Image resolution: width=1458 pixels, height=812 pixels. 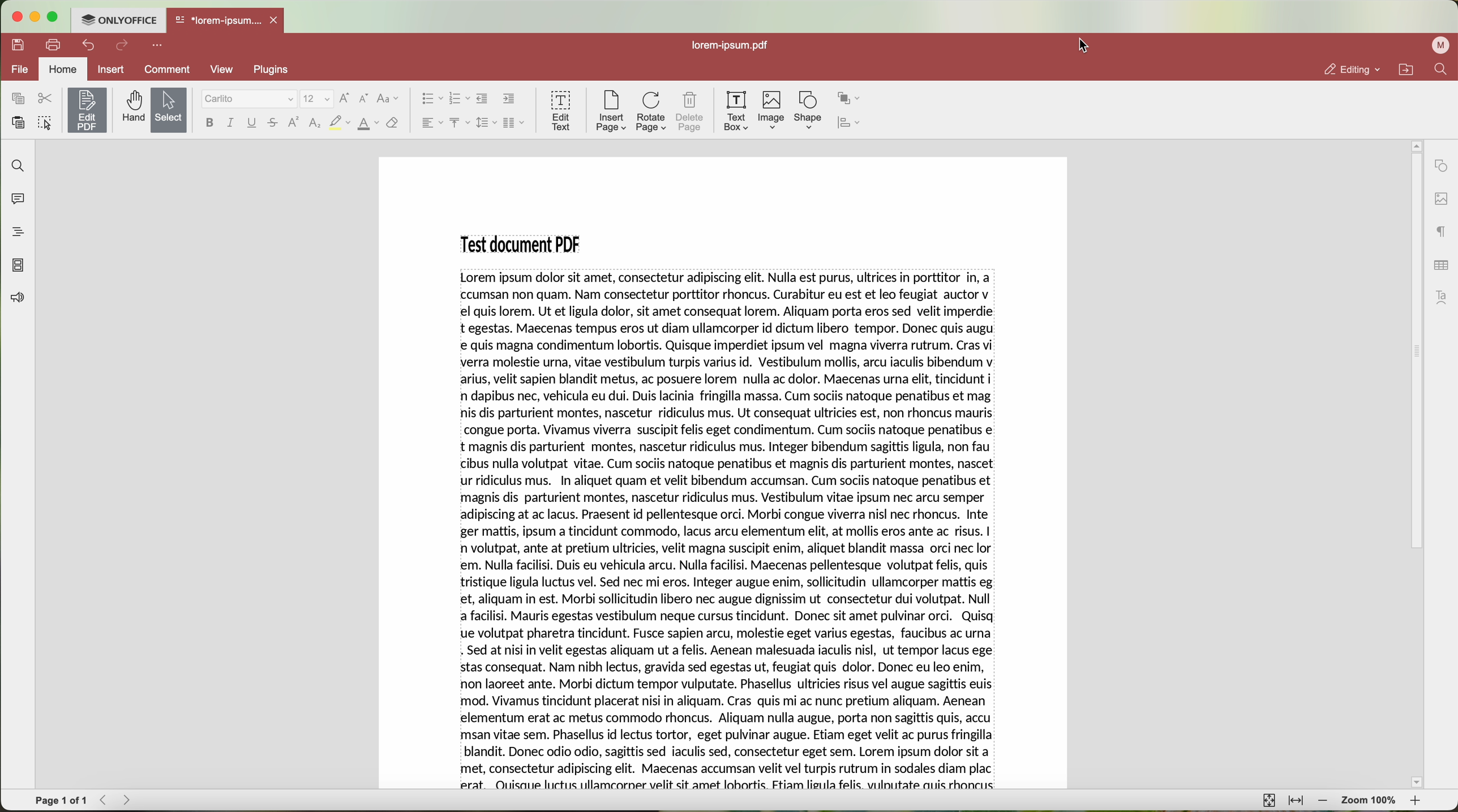 What do you see at coordinates (431, 123) in the screenshot?
I see `horizontal align` at bounding box center [431, 123].